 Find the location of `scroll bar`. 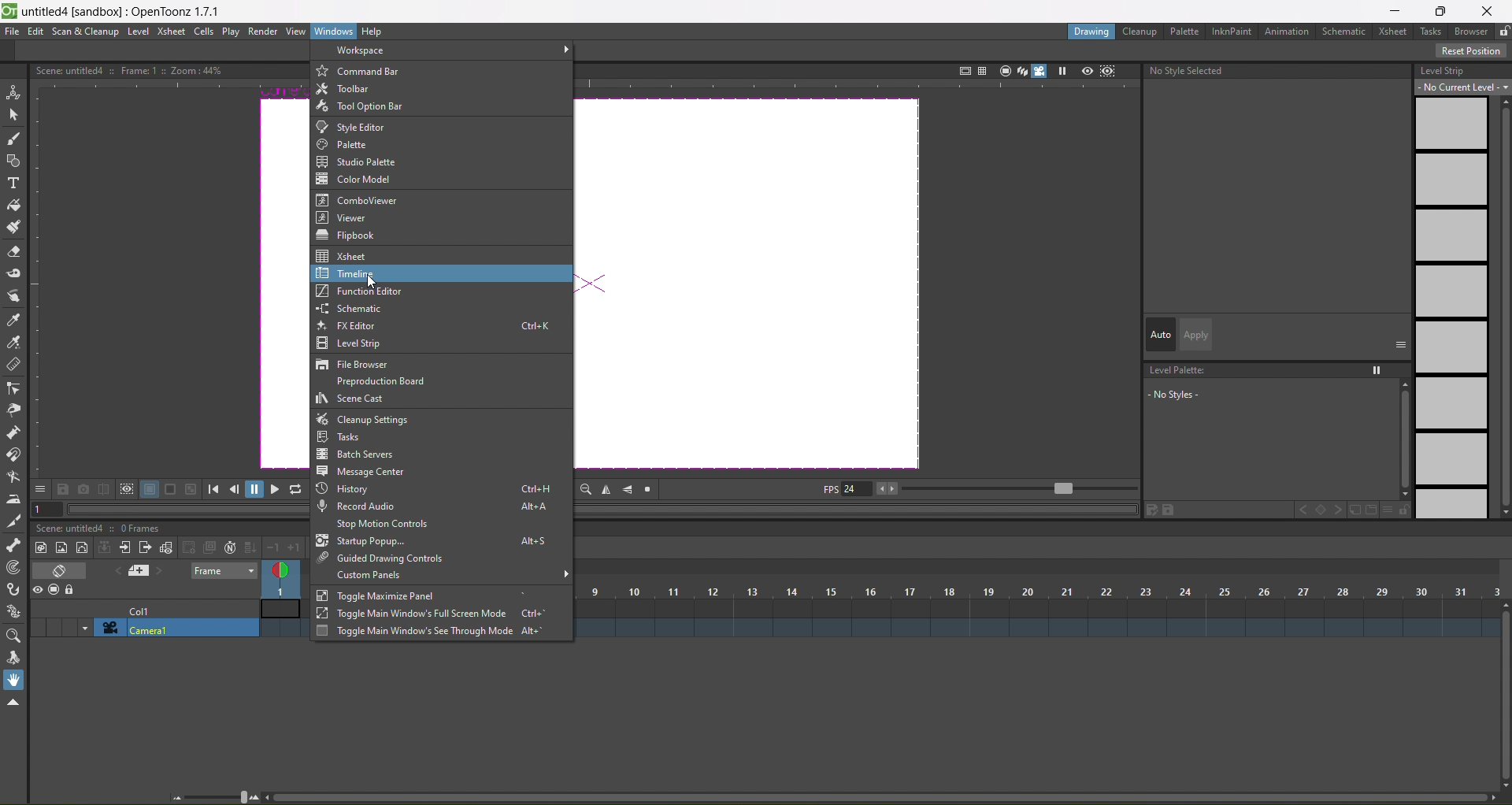

scroll bar is located at coordinates (876, 799).